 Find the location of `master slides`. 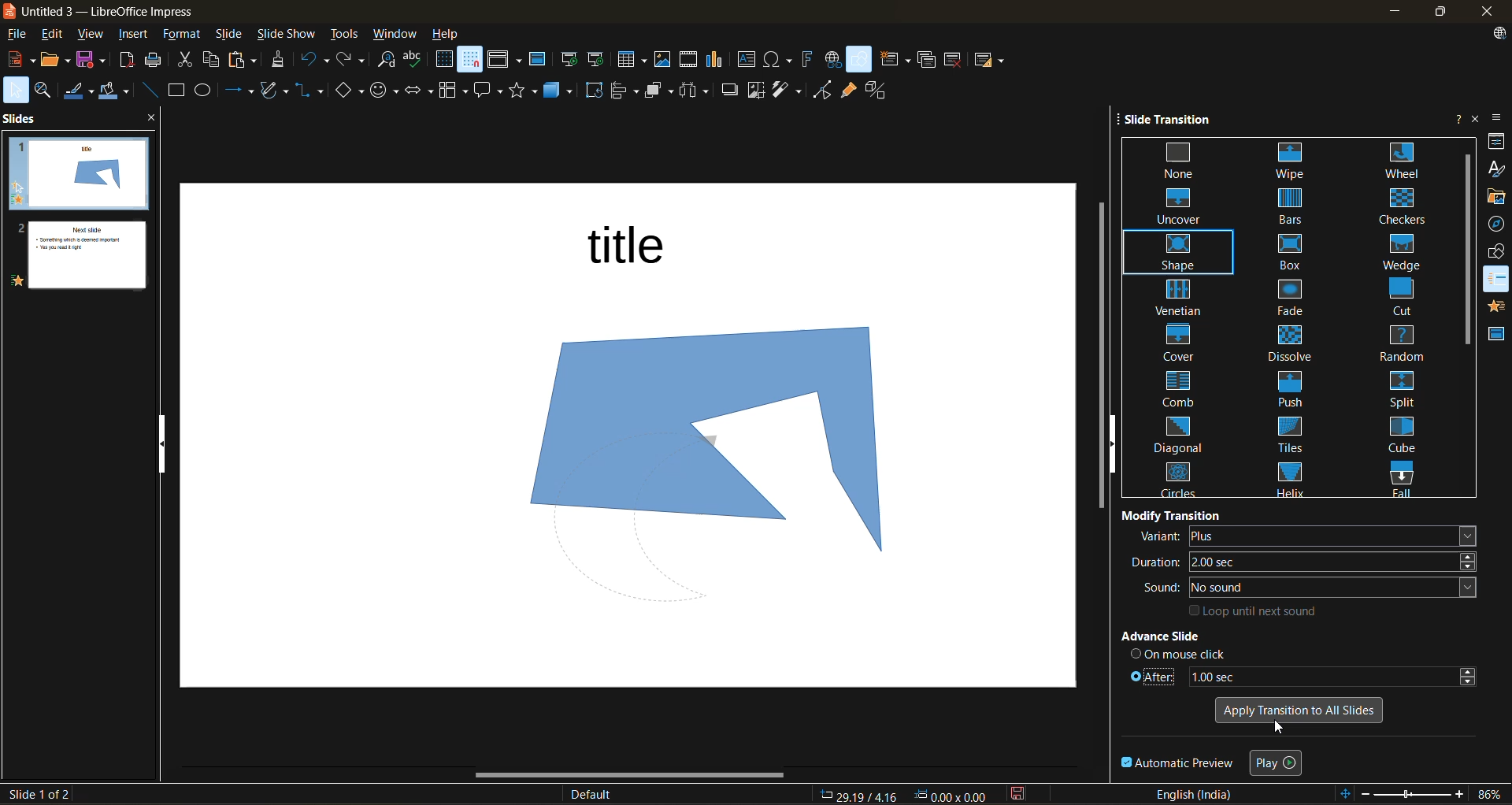

master slides is located at coordinates (1497, 338).